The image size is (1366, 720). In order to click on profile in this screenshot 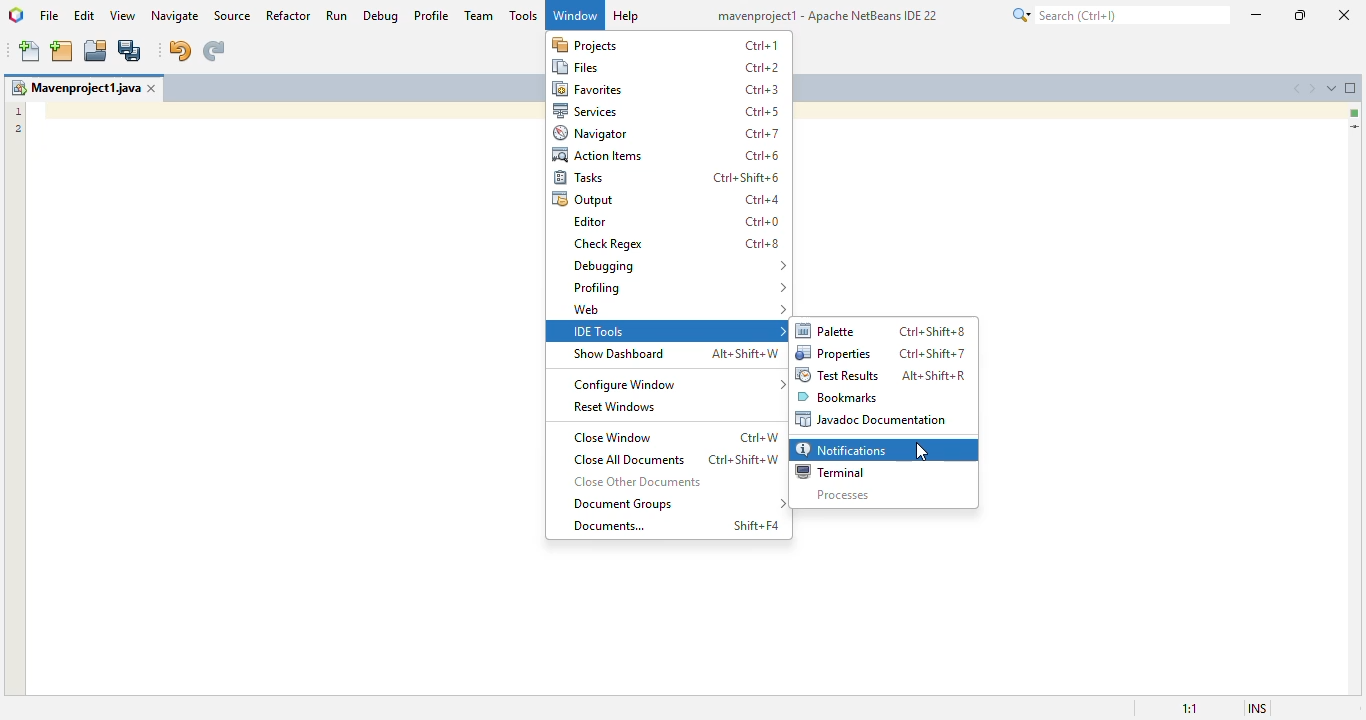, I will do `click(433, 15)`.